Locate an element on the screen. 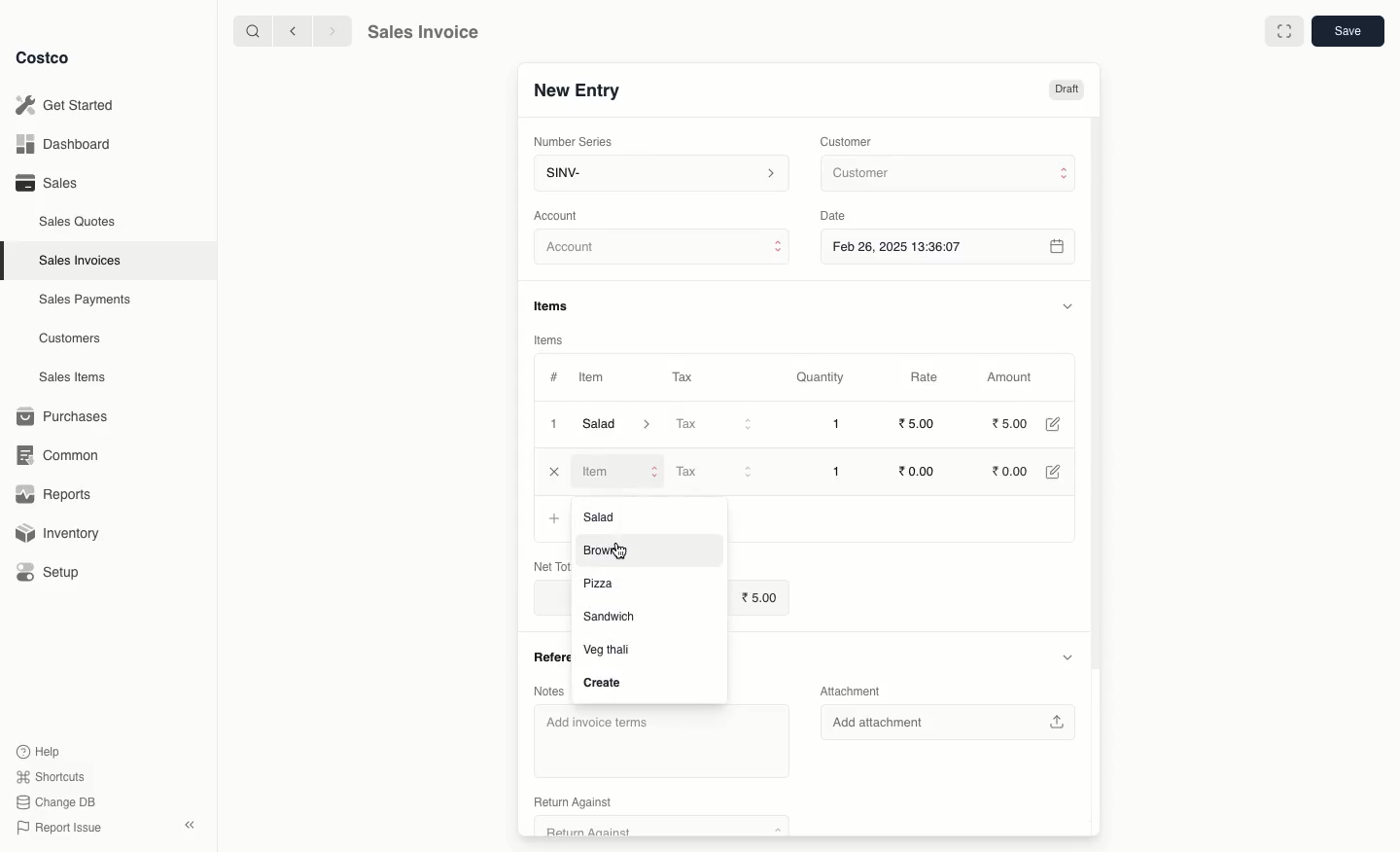  Salad is located at coordinates (617, 424).